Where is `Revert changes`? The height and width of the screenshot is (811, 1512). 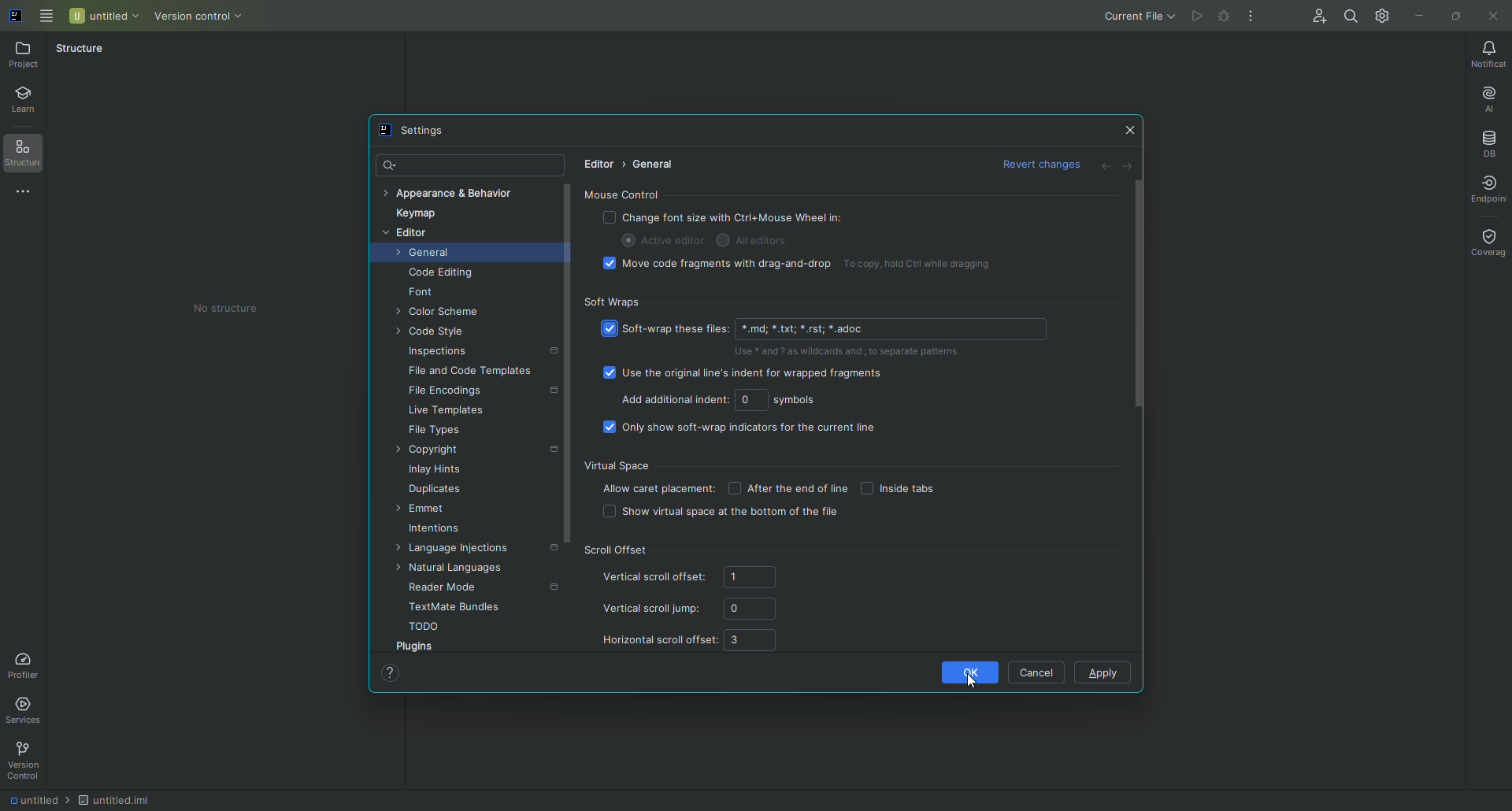
Revert changes is located at coordinates (1036, 162).